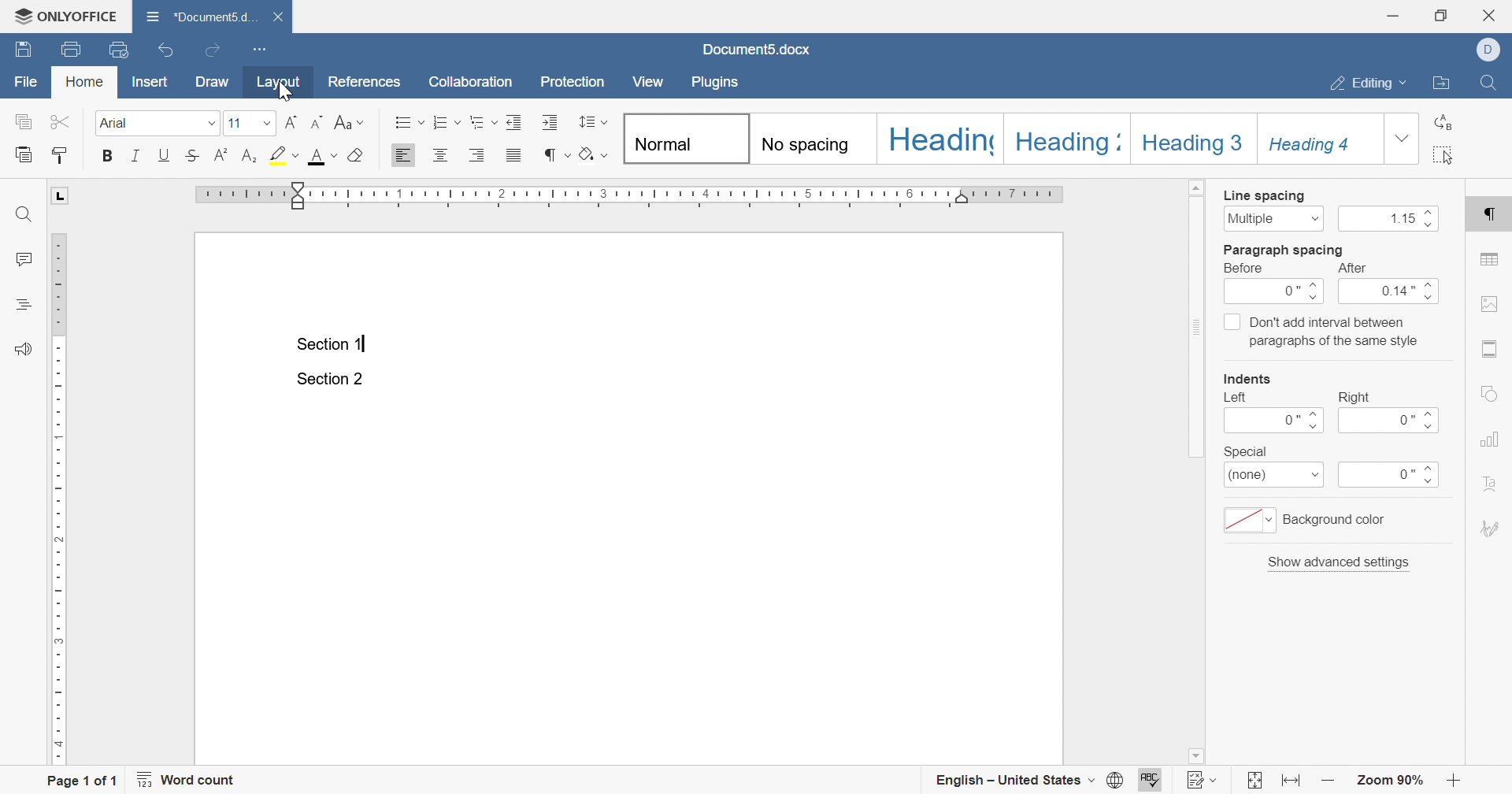 The height and width of the screenshot is (794, 1512). I want to click on Find, so click(1487, 82).